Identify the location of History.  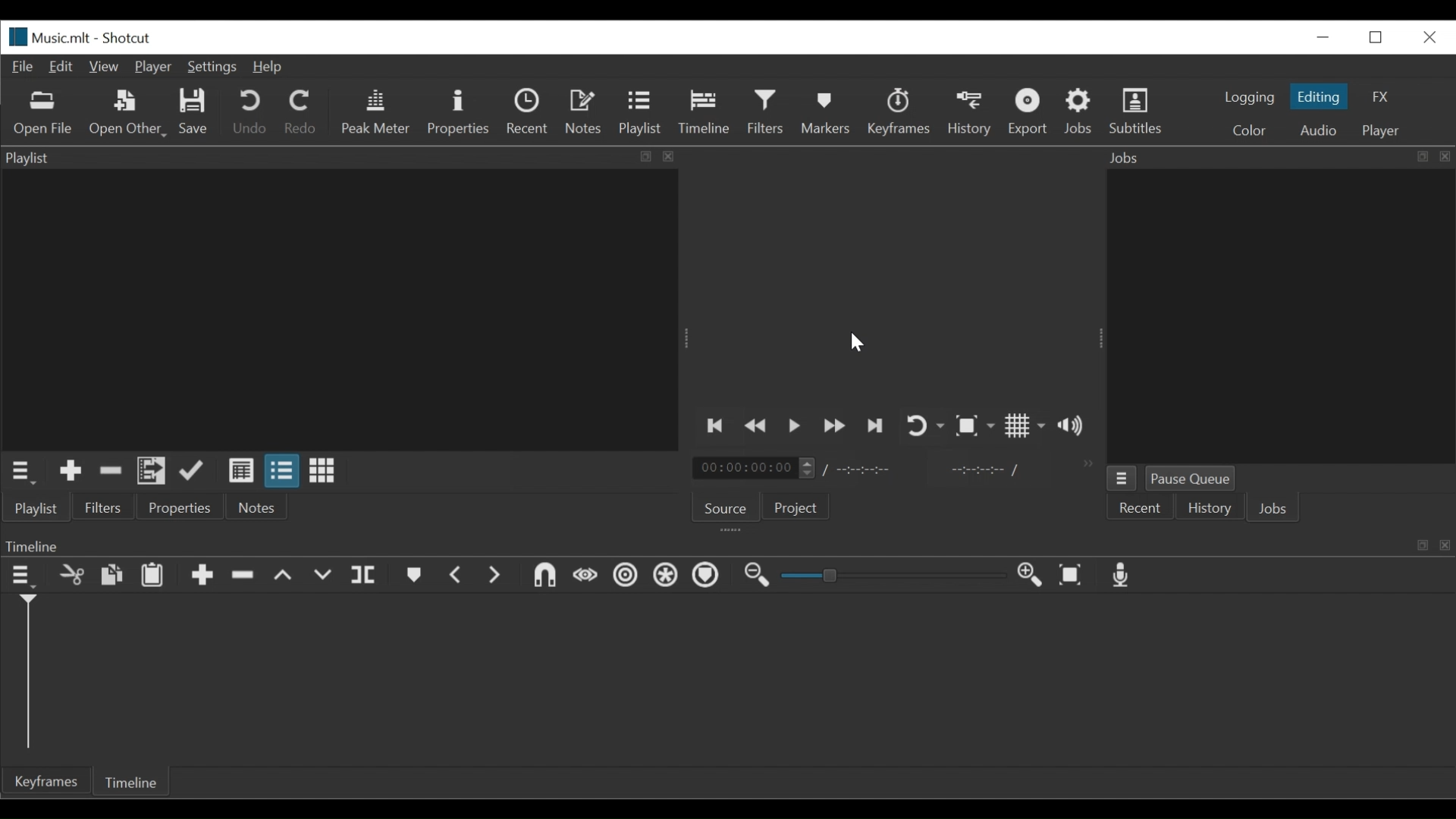
(1209, 507).